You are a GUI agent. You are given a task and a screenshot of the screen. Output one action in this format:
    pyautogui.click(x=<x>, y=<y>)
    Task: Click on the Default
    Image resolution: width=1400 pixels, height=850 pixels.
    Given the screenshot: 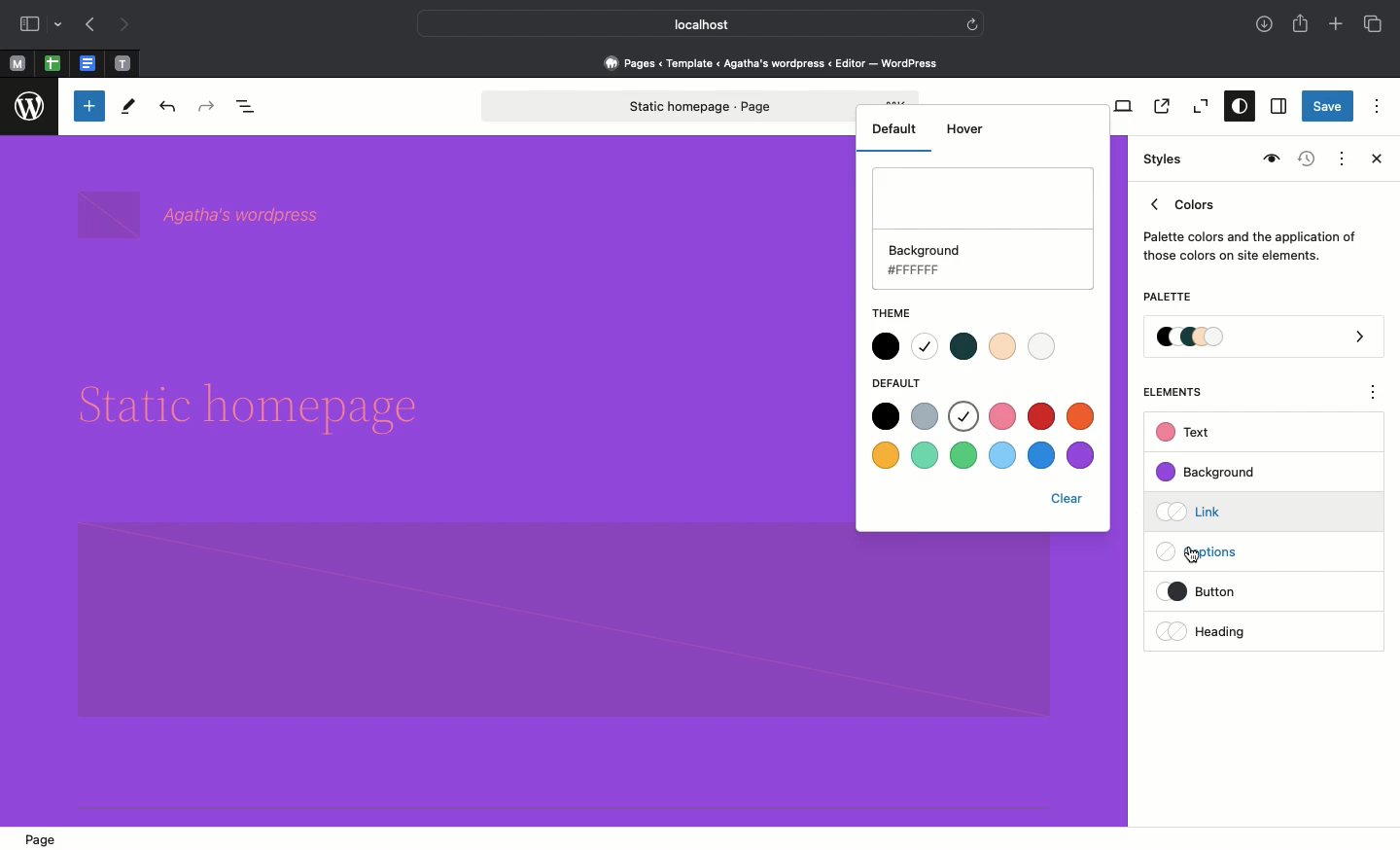 What is the action you would take?
    pyautogui.click(x=900, y=381)
    